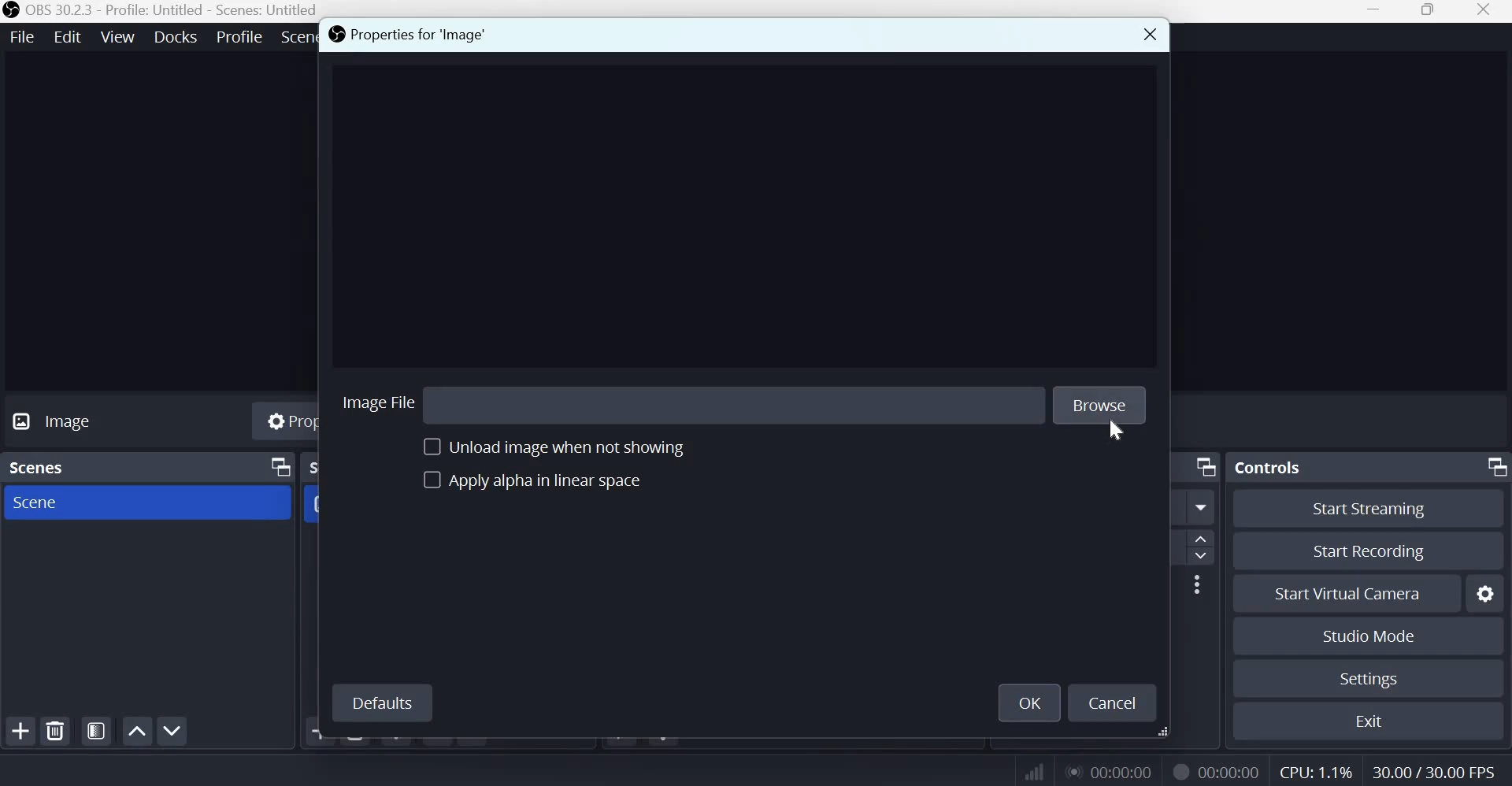 The width and height of the screenshot is (1512, 786). What do you see at coordinates (58, 731) in the screenshot?
I see `Remove selected scene` at bounding box center [58, 731].